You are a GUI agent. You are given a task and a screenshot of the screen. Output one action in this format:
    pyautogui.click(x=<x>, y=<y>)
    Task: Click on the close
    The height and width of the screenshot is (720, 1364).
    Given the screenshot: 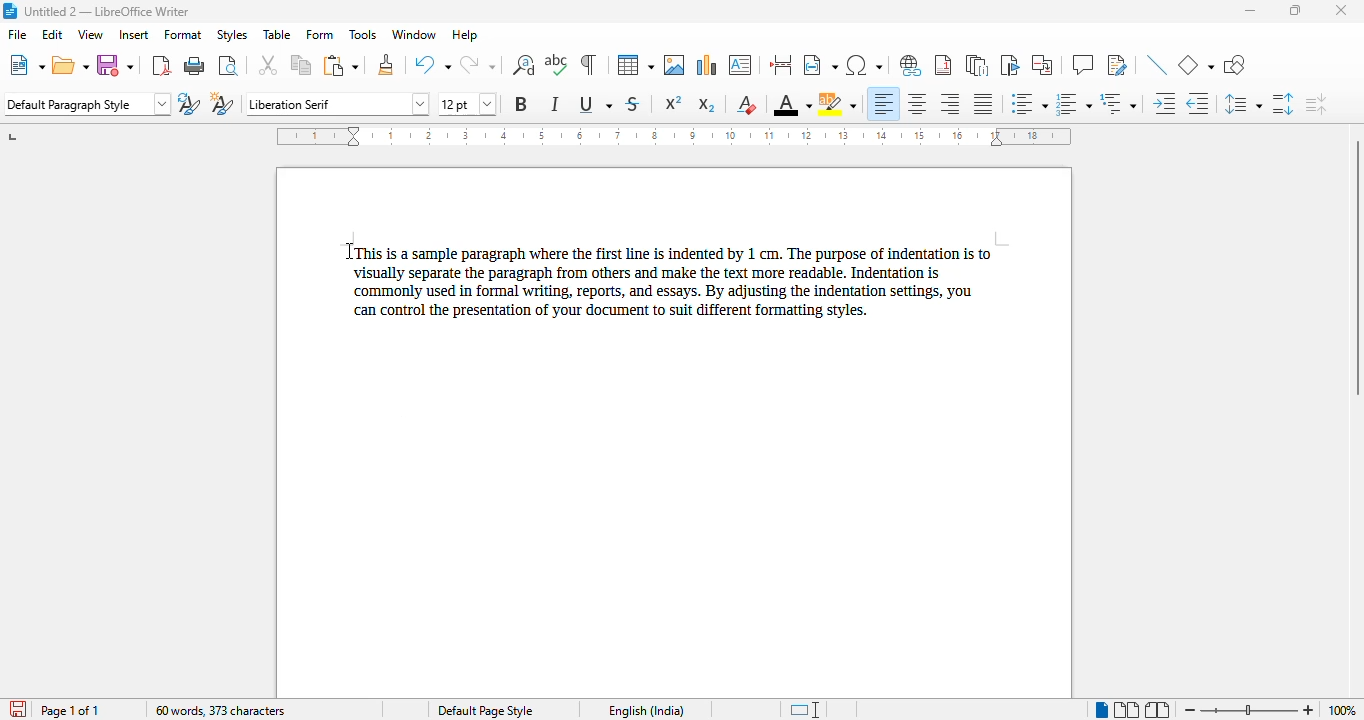 What is the action you would take?
    pyautogui.click(x=1342, y=10)
    